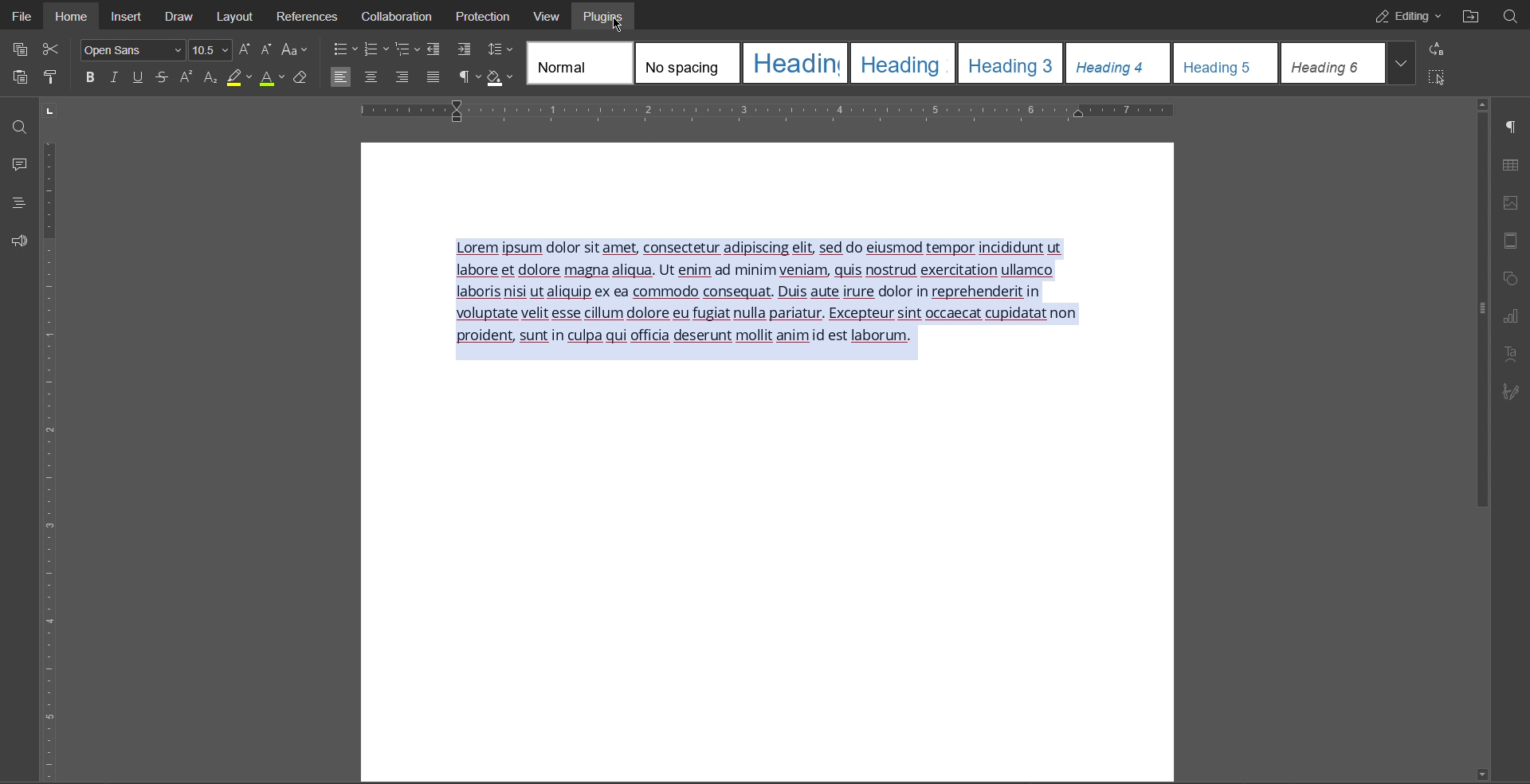 This screenshot has width=1530, height=784. I want to click on Selection, so click(1437, 75).